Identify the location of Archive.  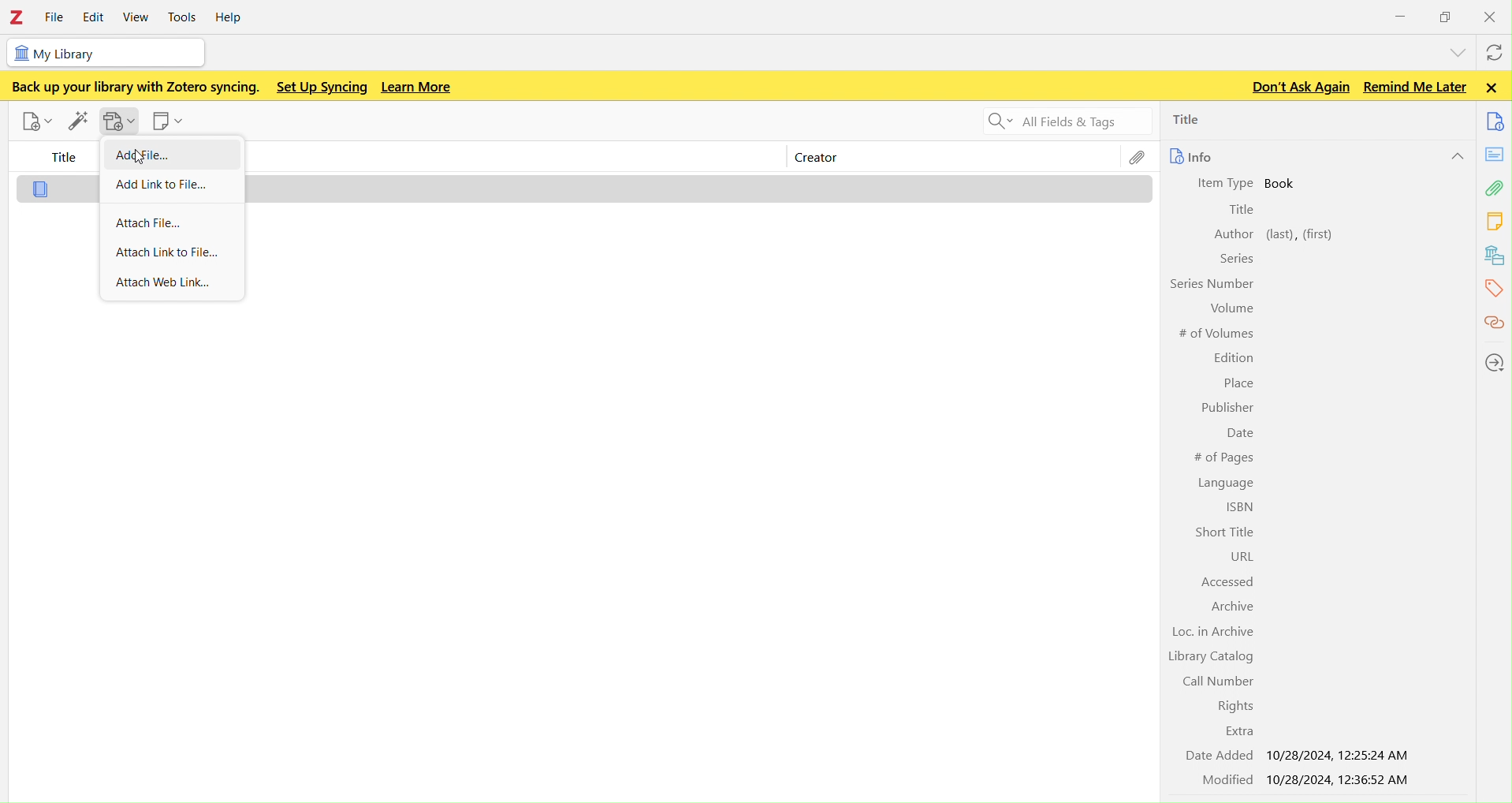
(1233, 606).